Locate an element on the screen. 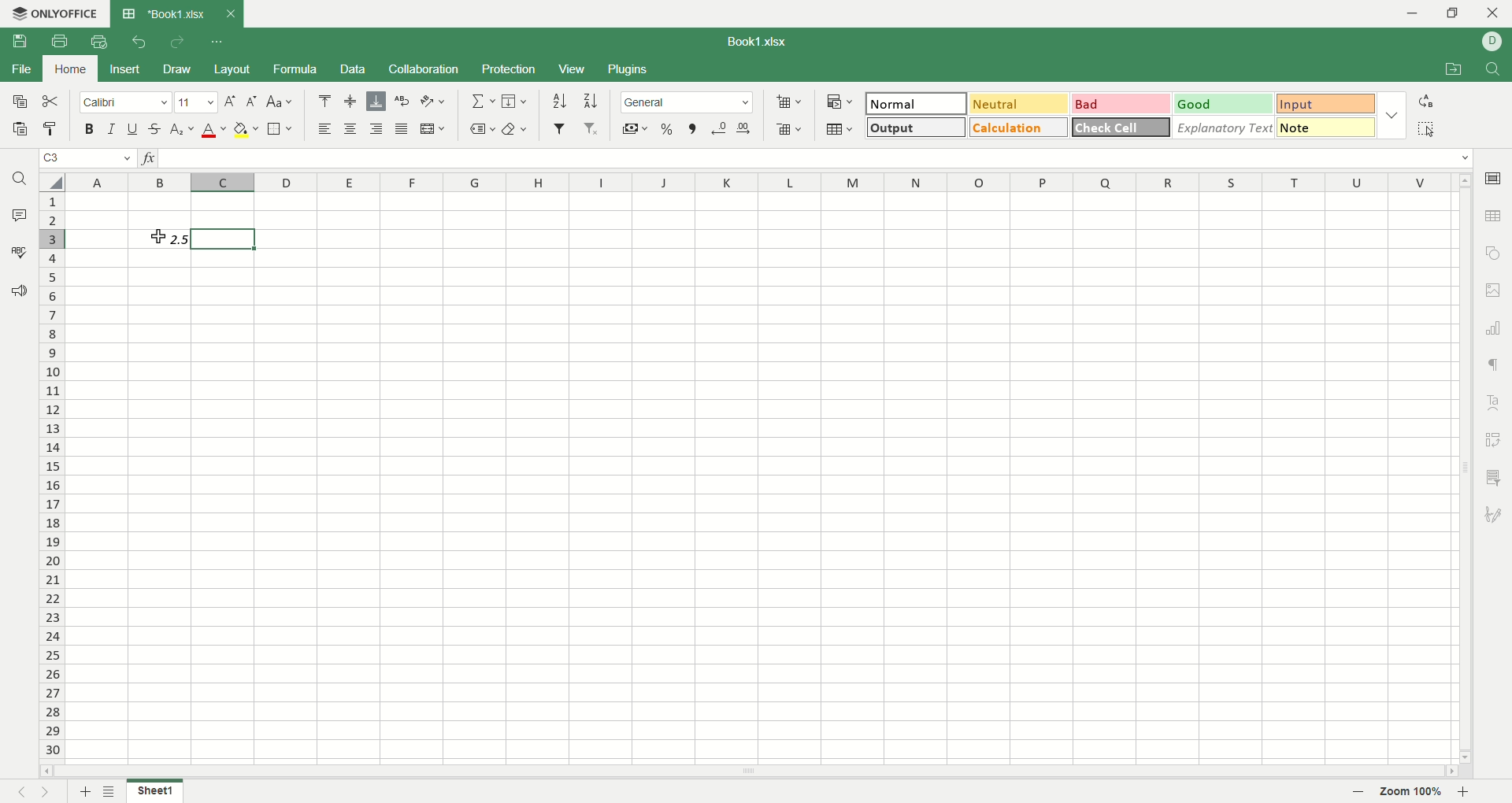 This screenshot has width=1512, height=803. font name is located at coordinates (128, 102).